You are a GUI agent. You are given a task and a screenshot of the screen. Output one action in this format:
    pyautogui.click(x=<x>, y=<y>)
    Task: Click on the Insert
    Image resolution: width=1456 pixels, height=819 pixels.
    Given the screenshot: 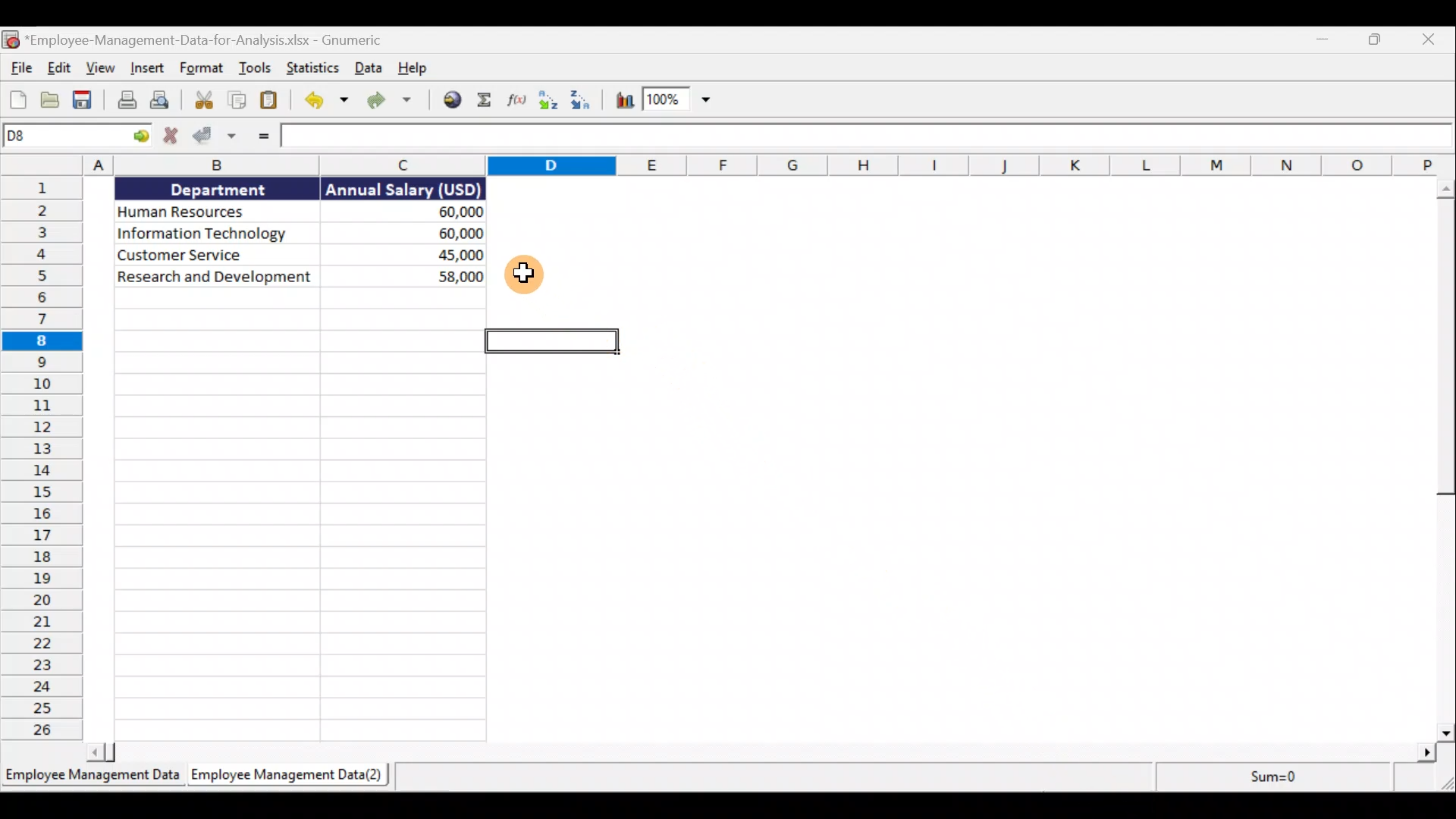 What is the action you would take?
    pyautogui.click(x=149, y=68)
    